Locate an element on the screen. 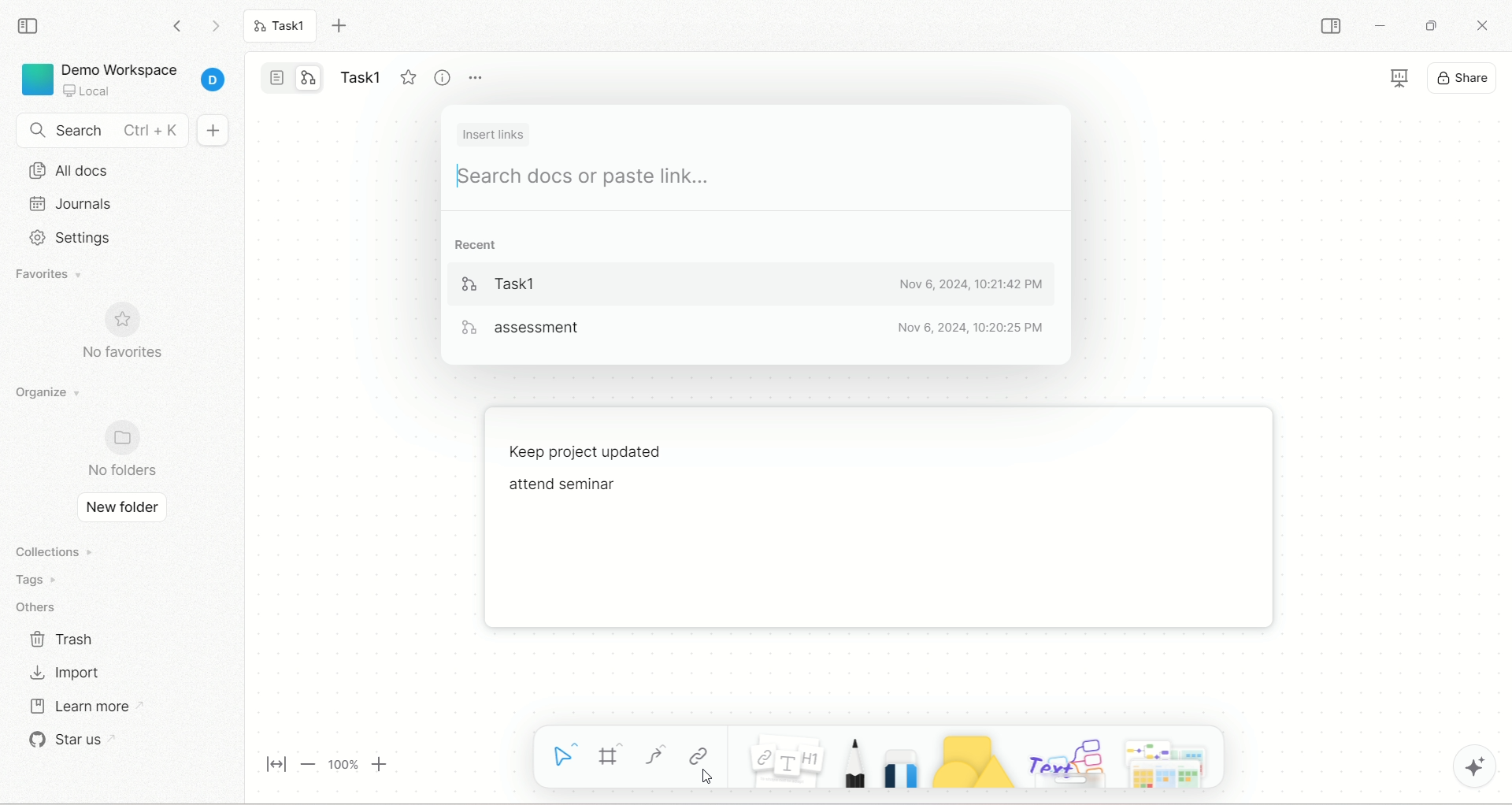  date & time is located at coordinates (971, 305).